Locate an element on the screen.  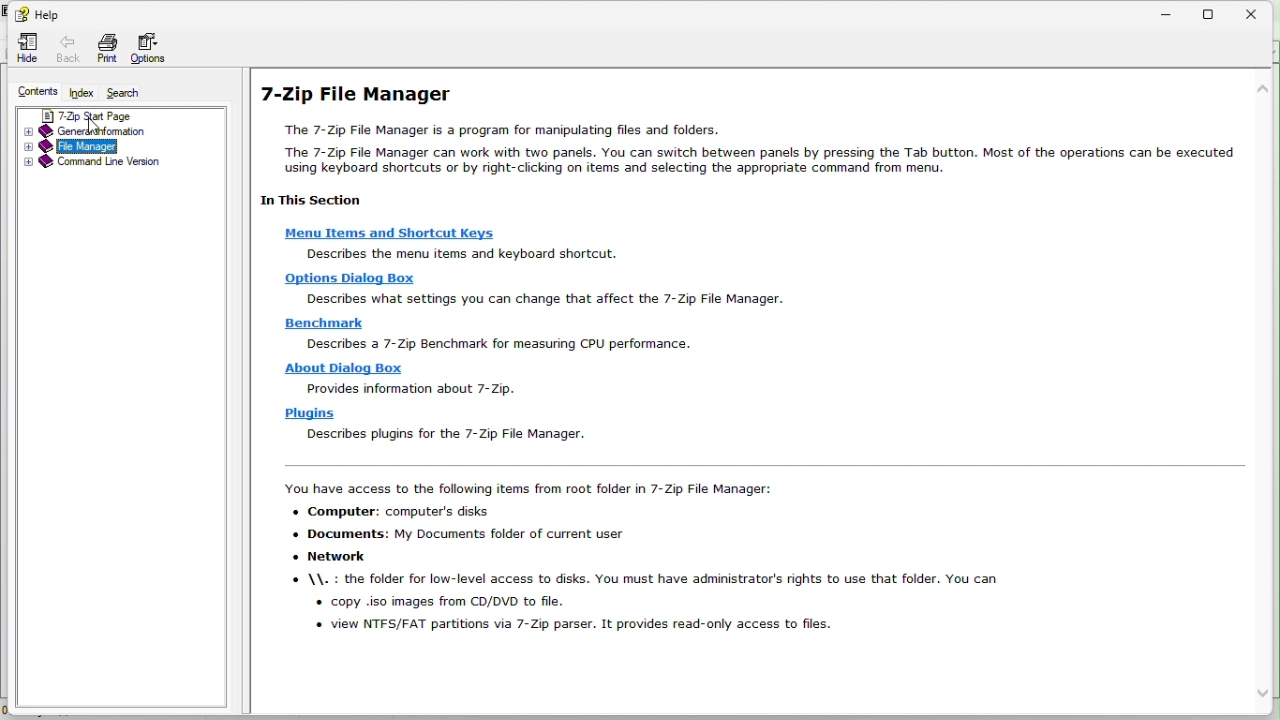
General information is located at coordinates (117, 132).